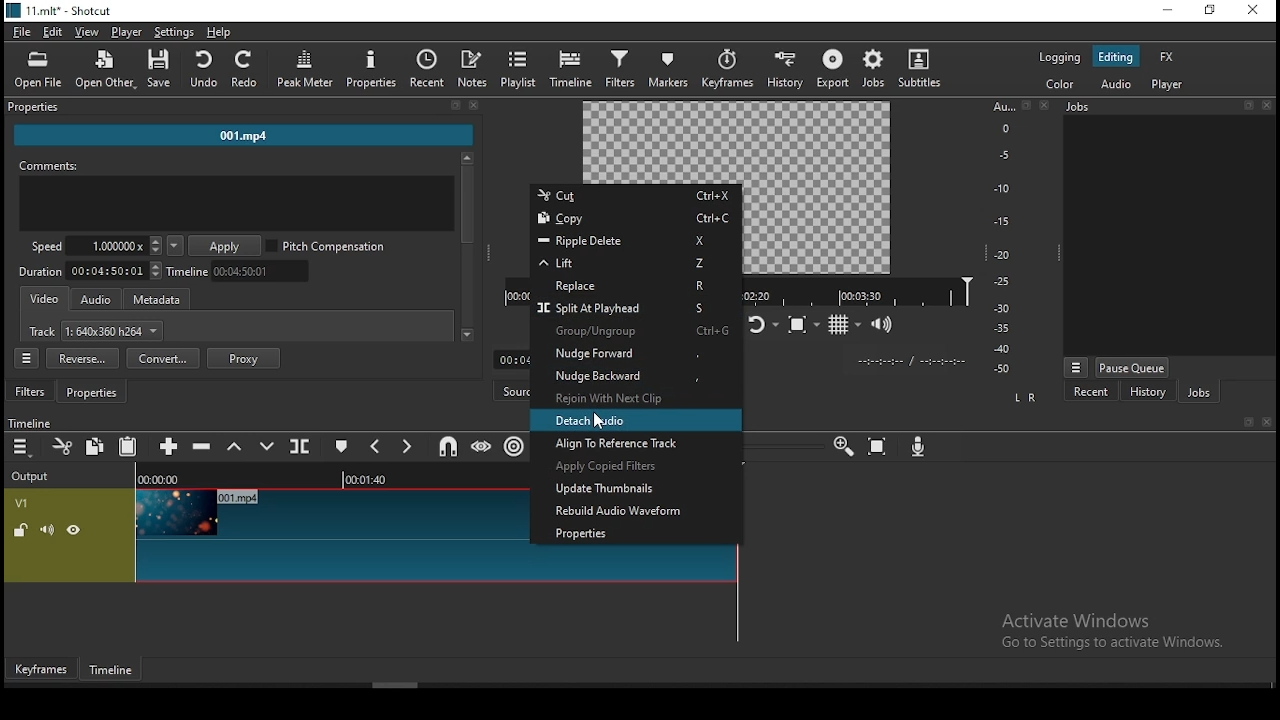 The height and width of the screenshot is (720, 1280). I want to click on create/edit marker, so click(343, 448).